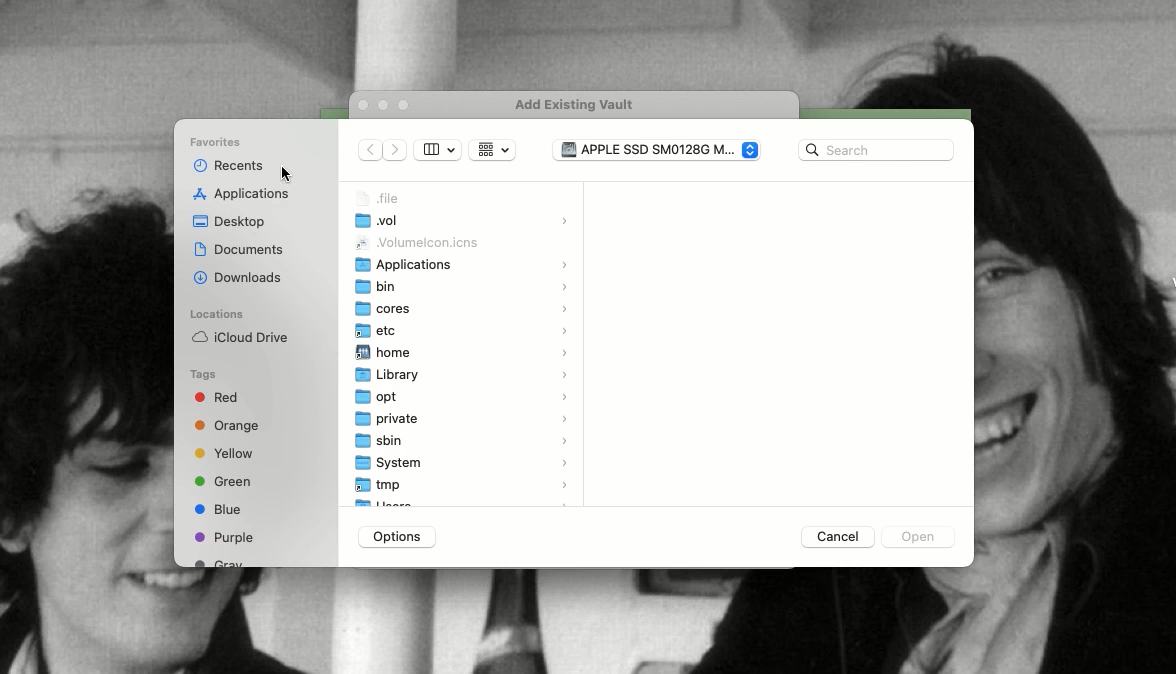  Describe the element at coordinates (398, 152) in the screenshot. I see `Next` at that location.